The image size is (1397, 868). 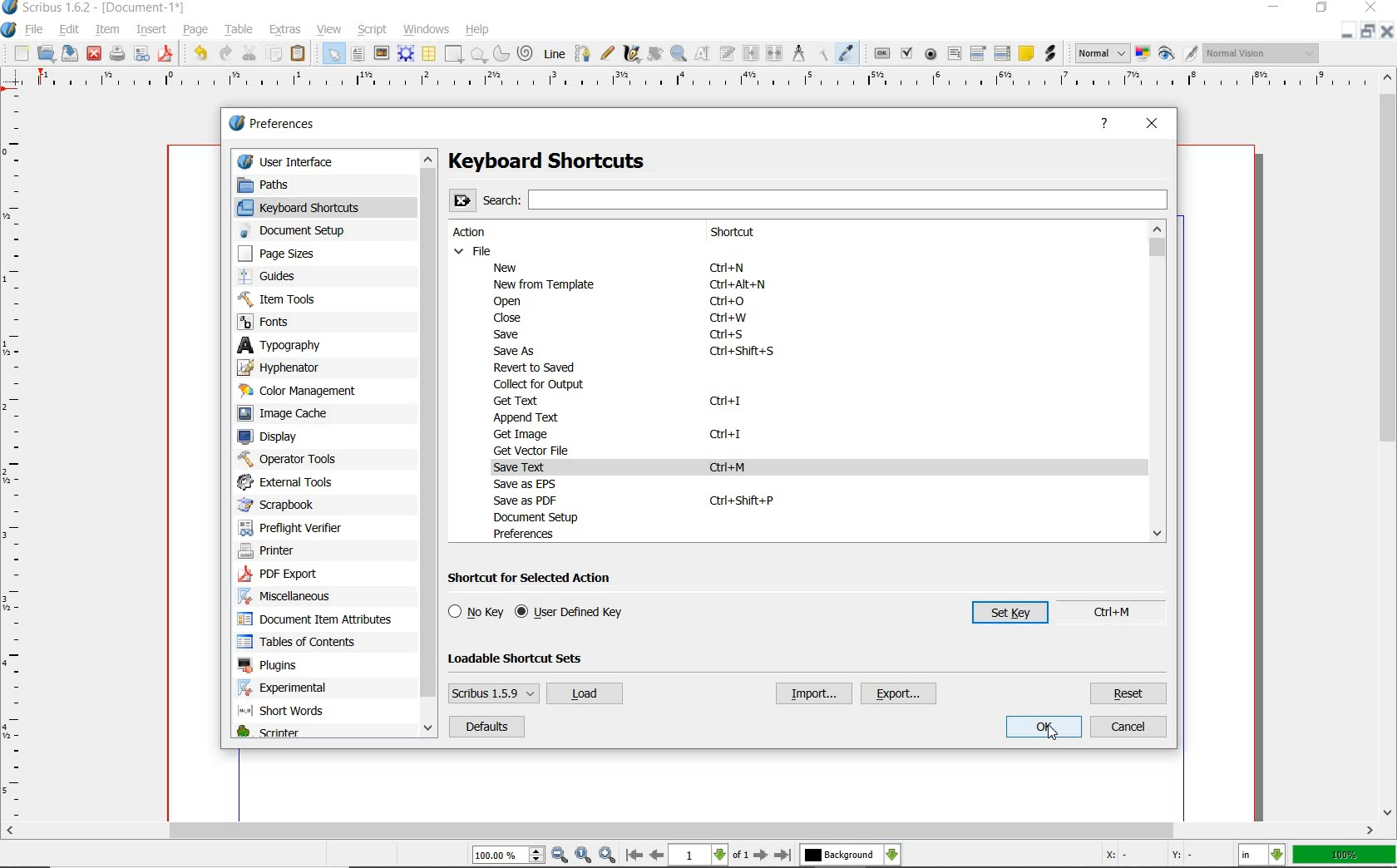 What do you see at coordinates (1026, 53) in the screenshot?
I see `text annotation` at bounding box center [1026, 53].